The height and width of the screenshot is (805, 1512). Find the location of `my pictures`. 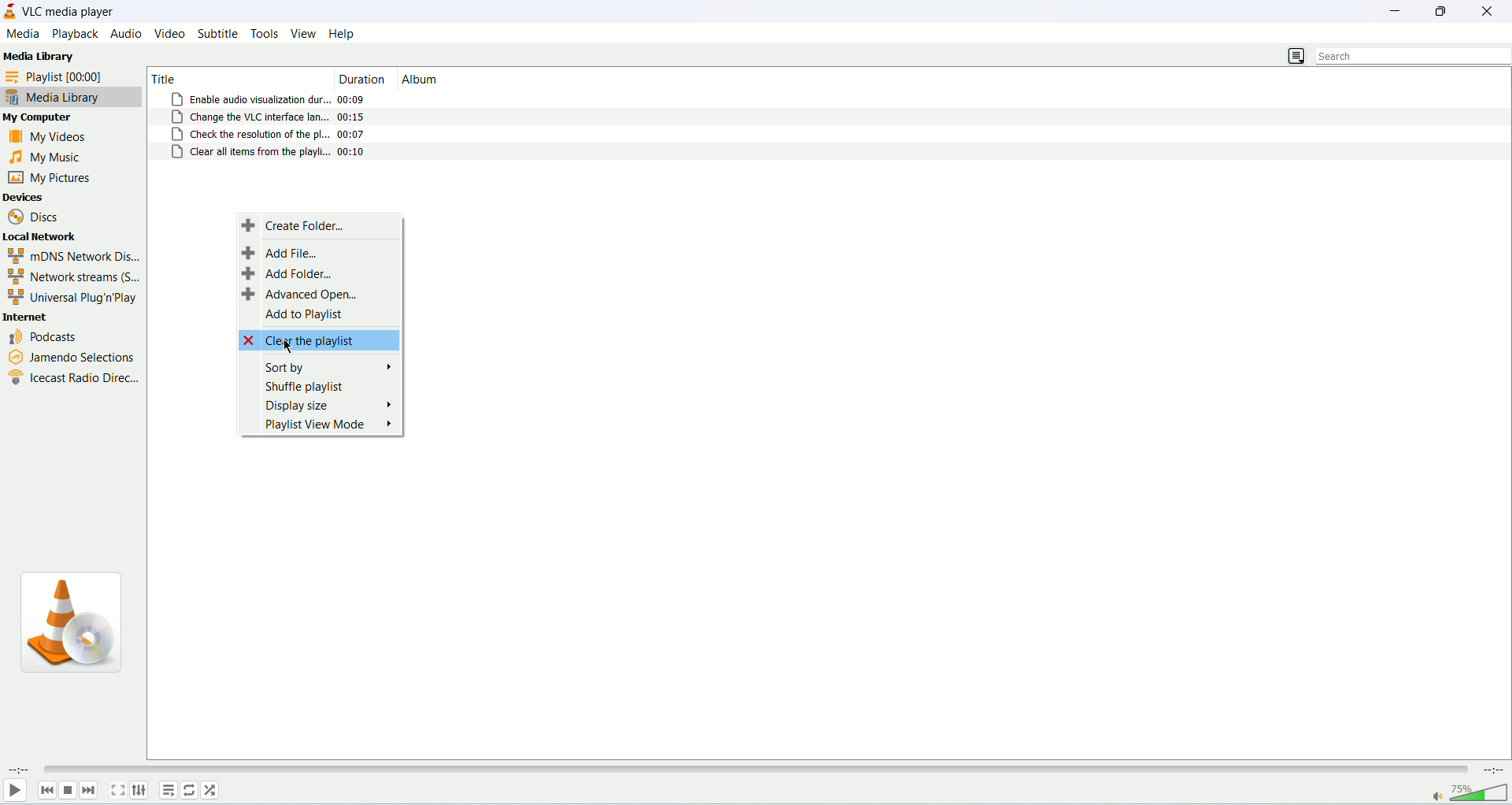

my pictures is located at coordinates (51, 178).